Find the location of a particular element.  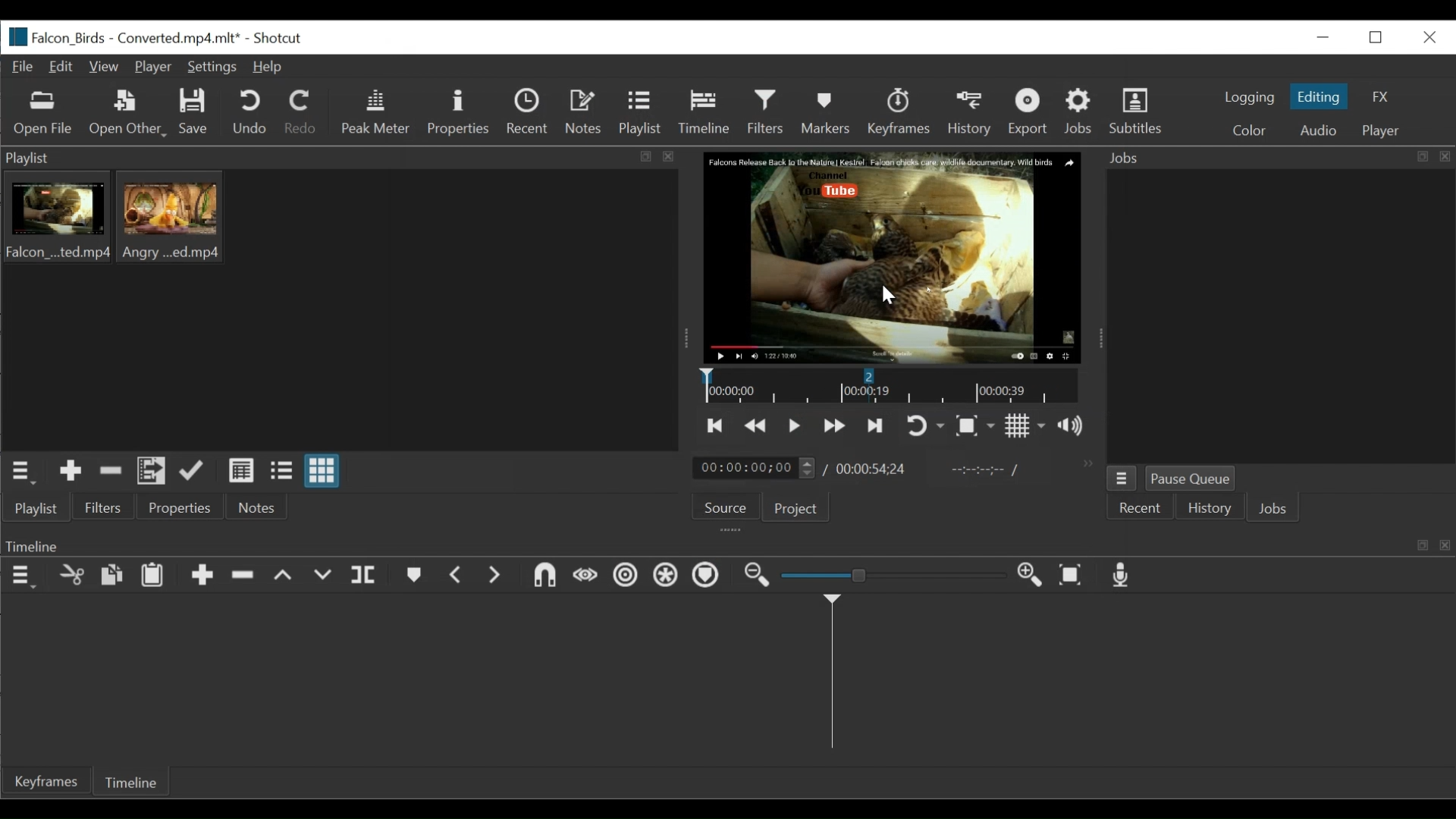

Colr is located at coordinates (1250, 129).